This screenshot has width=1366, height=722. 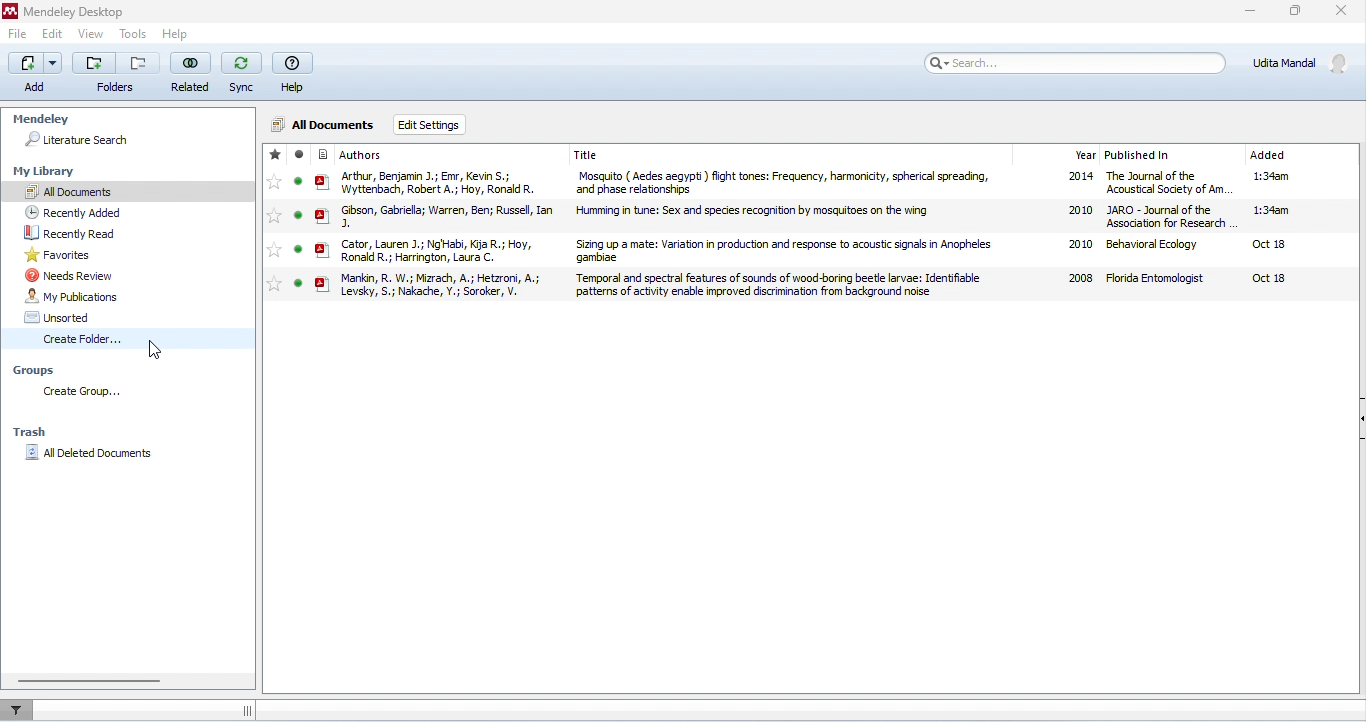 What do you see at coordinates (756, 212) in the screenshot?
I see `Humming in tune: Sex and species recognition by mosquitoes on the wing` at bounding box center [756, 212].